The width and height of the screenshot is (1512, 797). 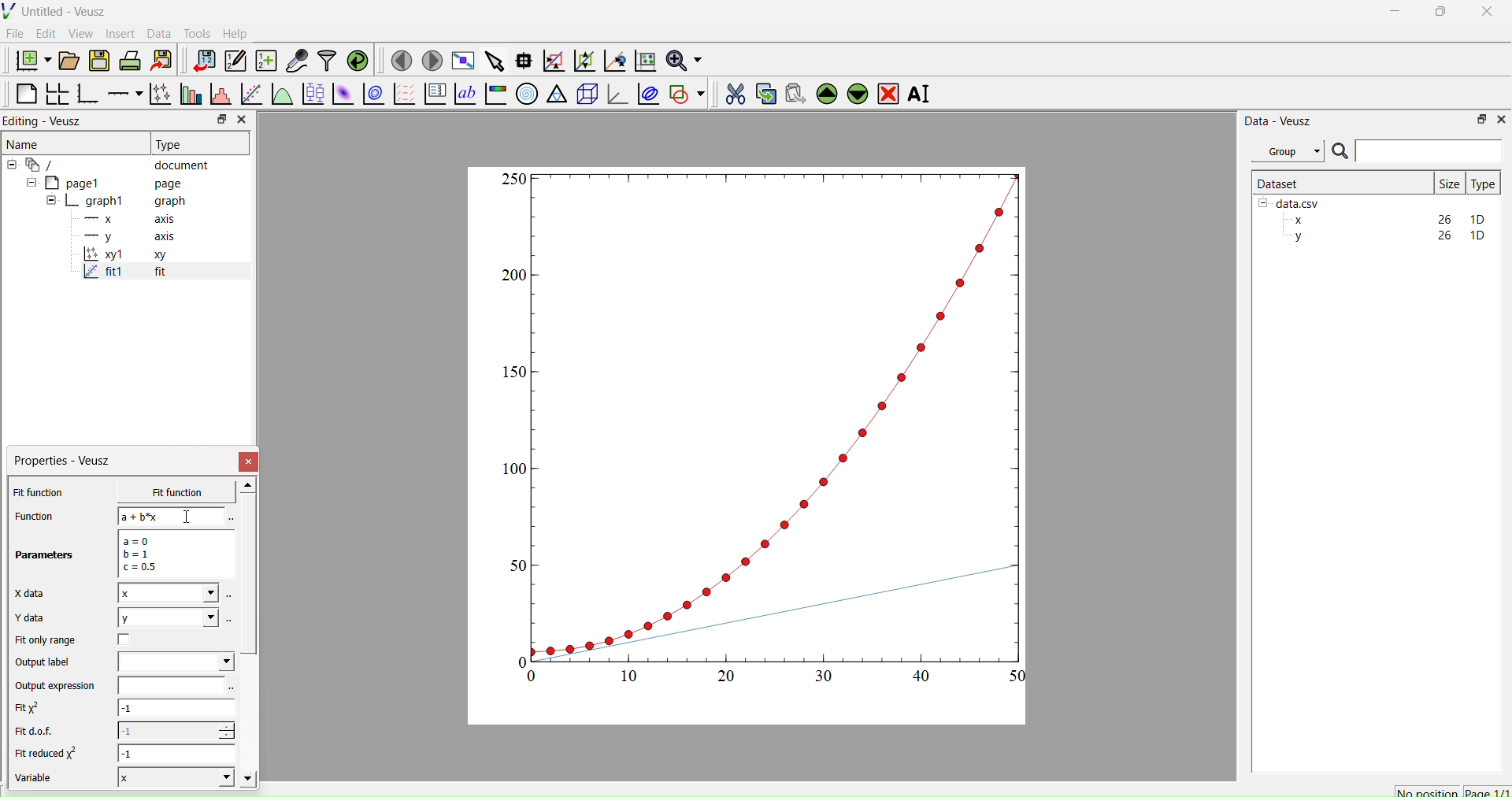 What do you see at coordinates (15, 33) in the screenshot?
I see `File` at bounding box center [15, 33].